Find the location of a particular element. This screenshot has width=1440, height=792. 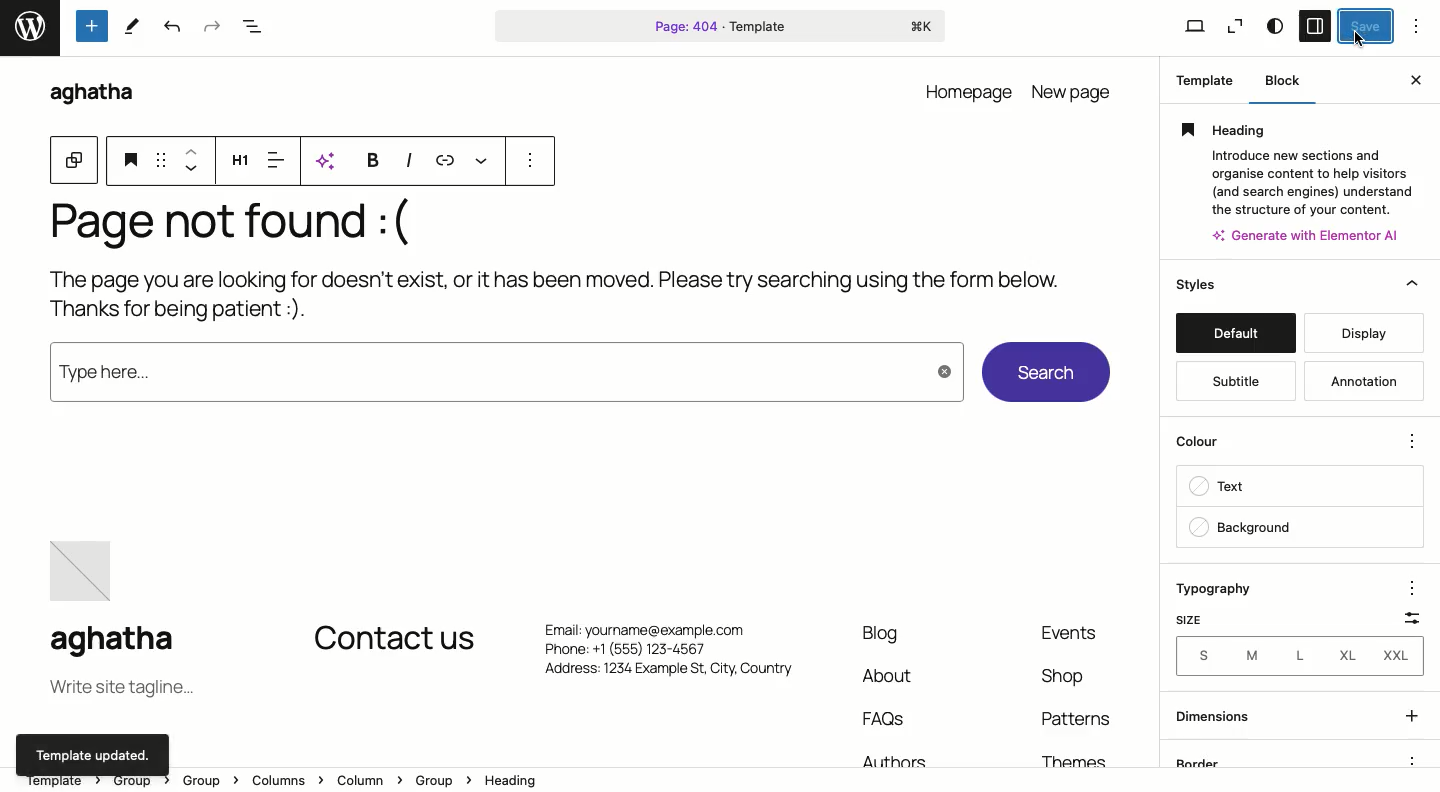

Tools is located at coordinates (93, 25).